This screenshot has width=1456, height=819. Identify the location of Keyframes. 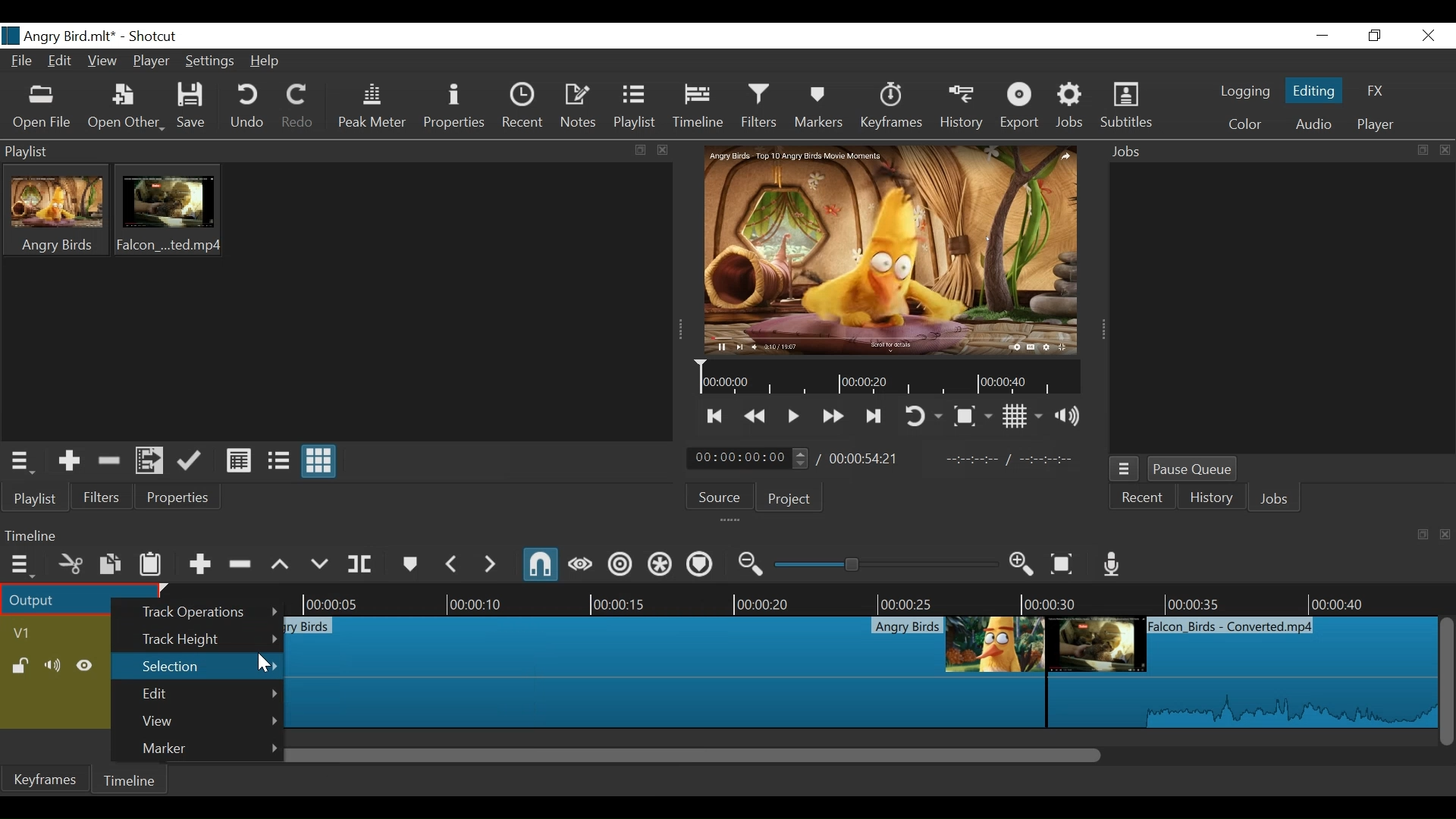
(890, 107).